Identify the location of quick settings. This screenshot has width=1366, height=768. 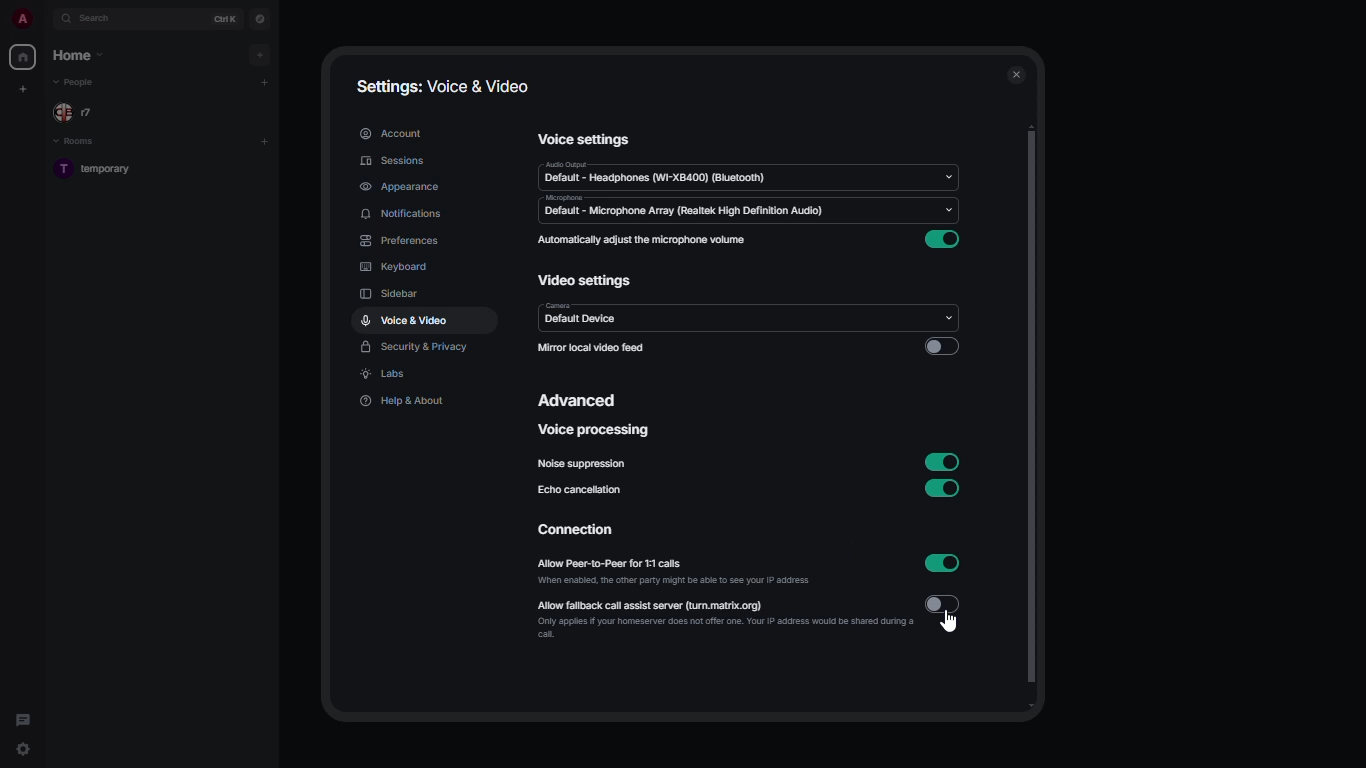
(24, 750).